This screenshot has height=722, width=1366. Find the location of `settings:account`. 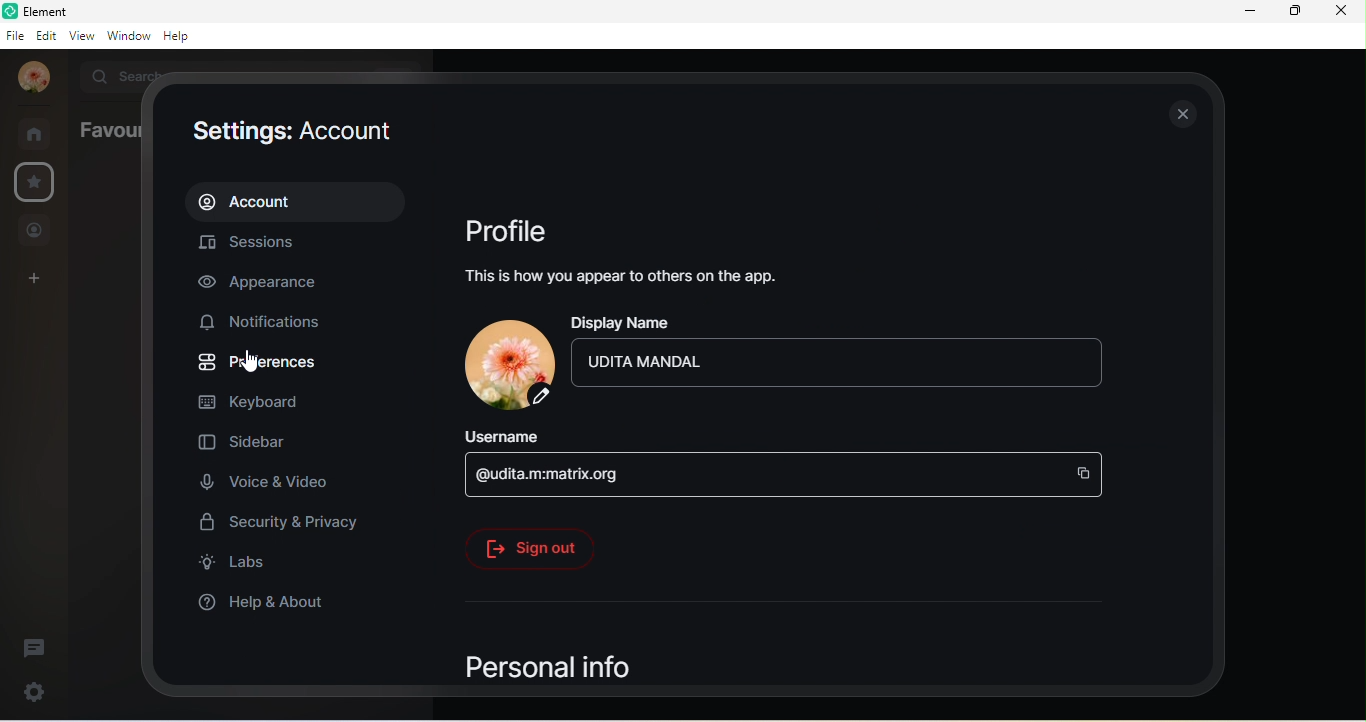

settings:account is located at coordinates (291, 132).